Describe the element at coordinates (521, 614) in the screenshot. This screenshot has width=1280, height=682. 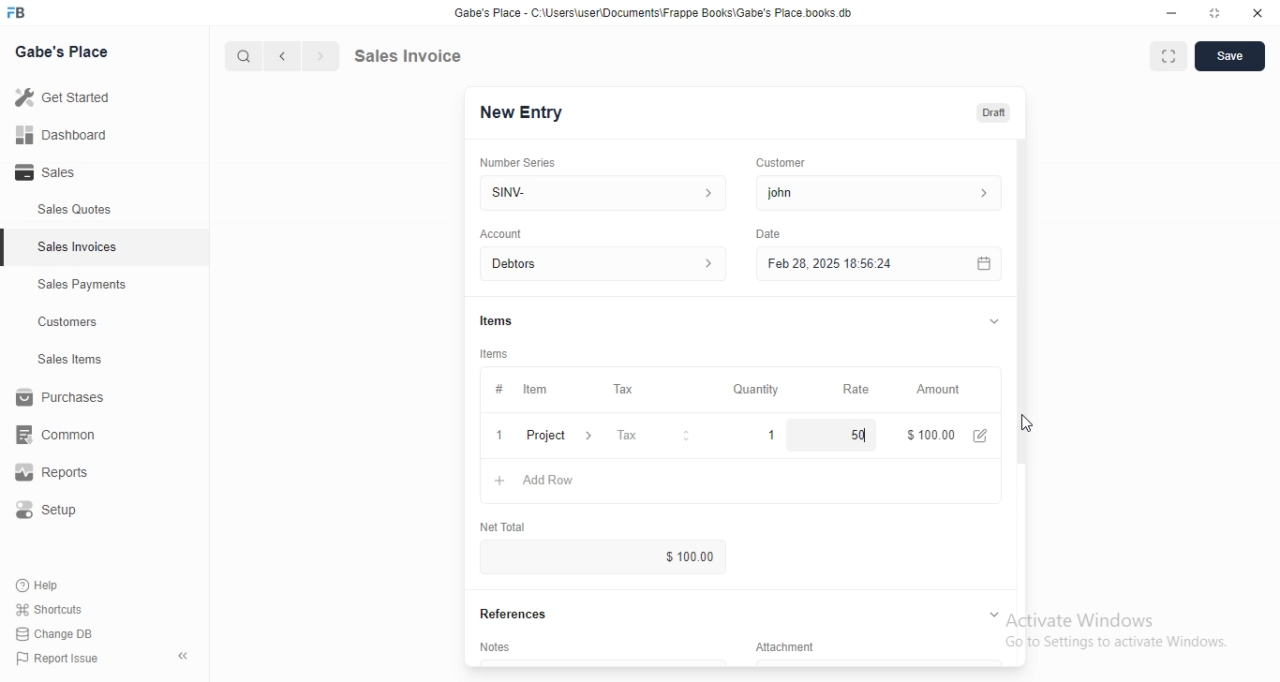
I see `References` at that location.